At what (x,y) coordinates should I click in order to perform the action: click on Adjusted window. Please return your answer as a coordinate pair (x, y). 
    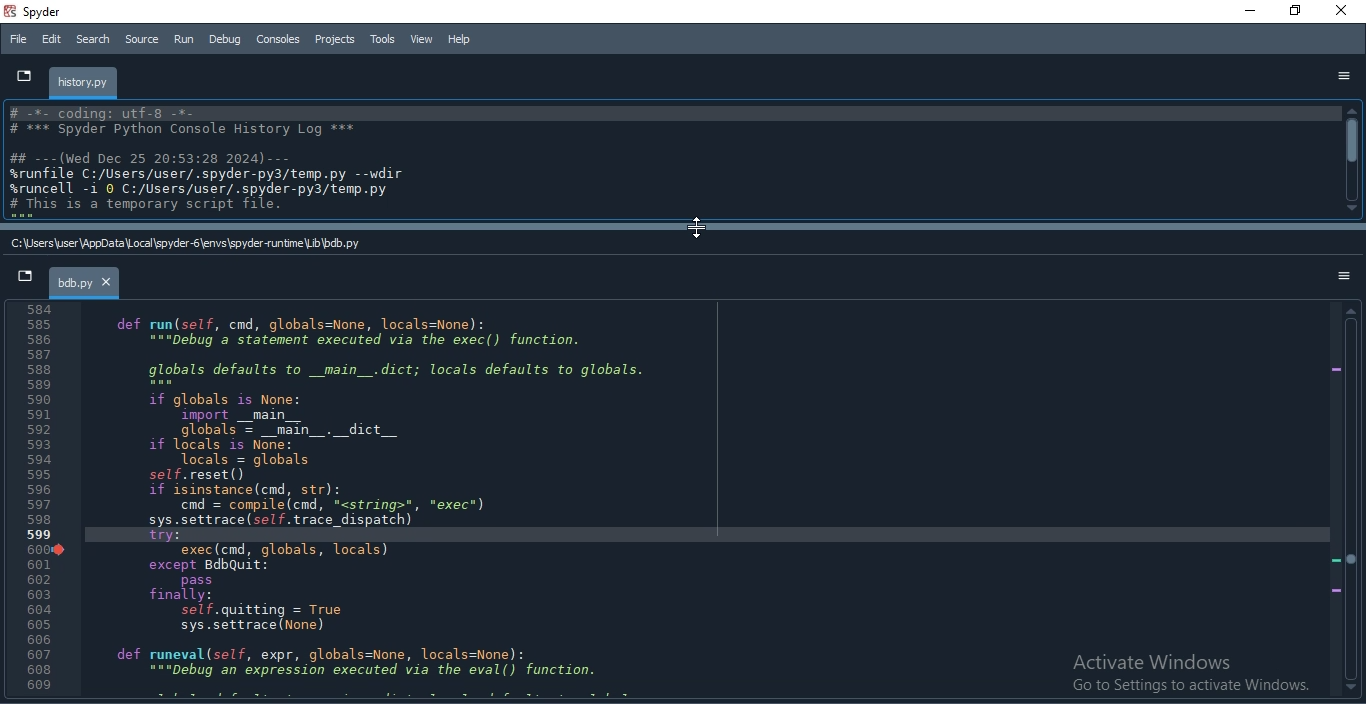
    Looking at the image, I should click on (670, 161).